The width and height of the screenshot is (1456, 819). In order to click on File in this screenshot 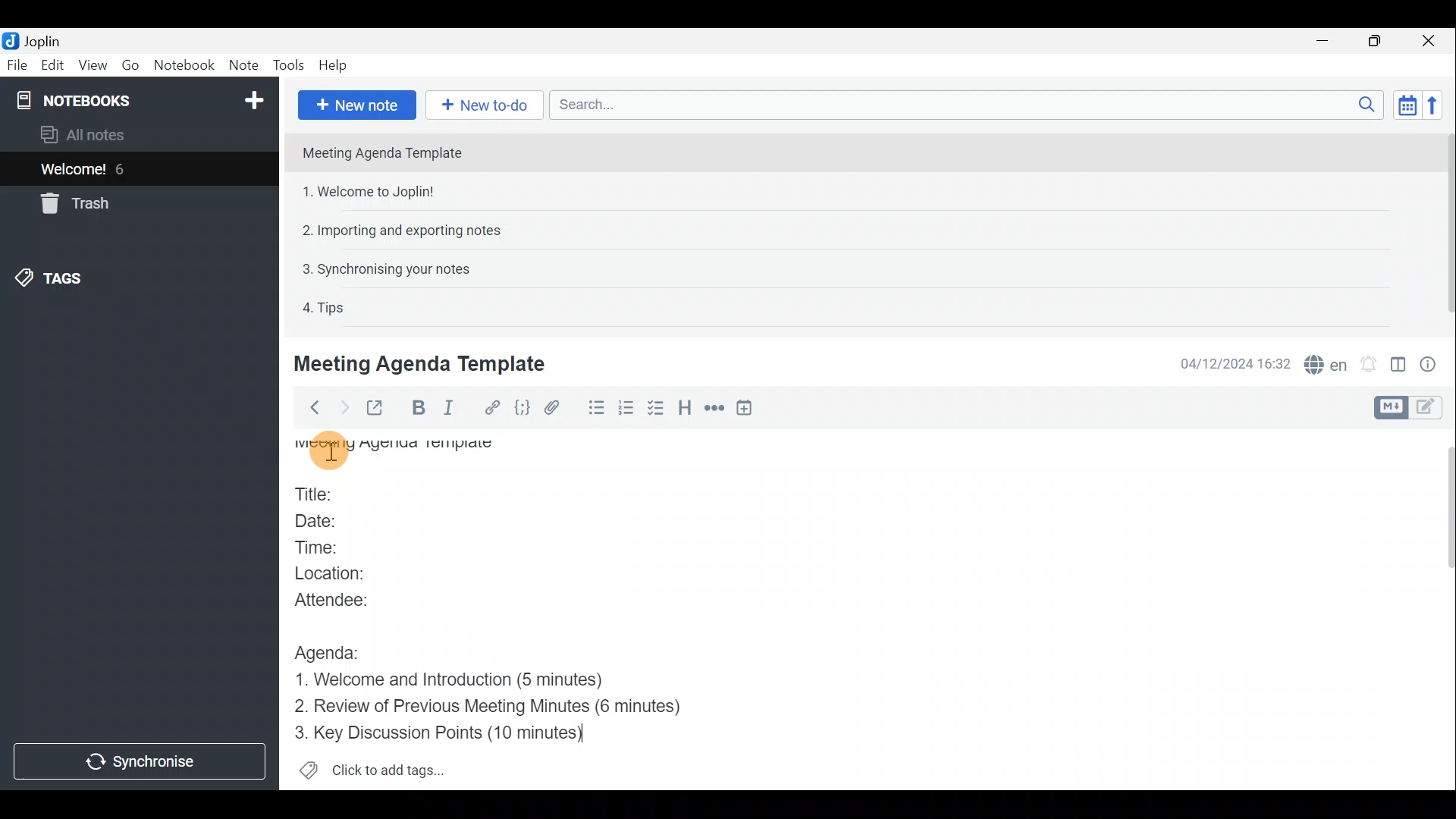, I will do `click(17, 64)`.